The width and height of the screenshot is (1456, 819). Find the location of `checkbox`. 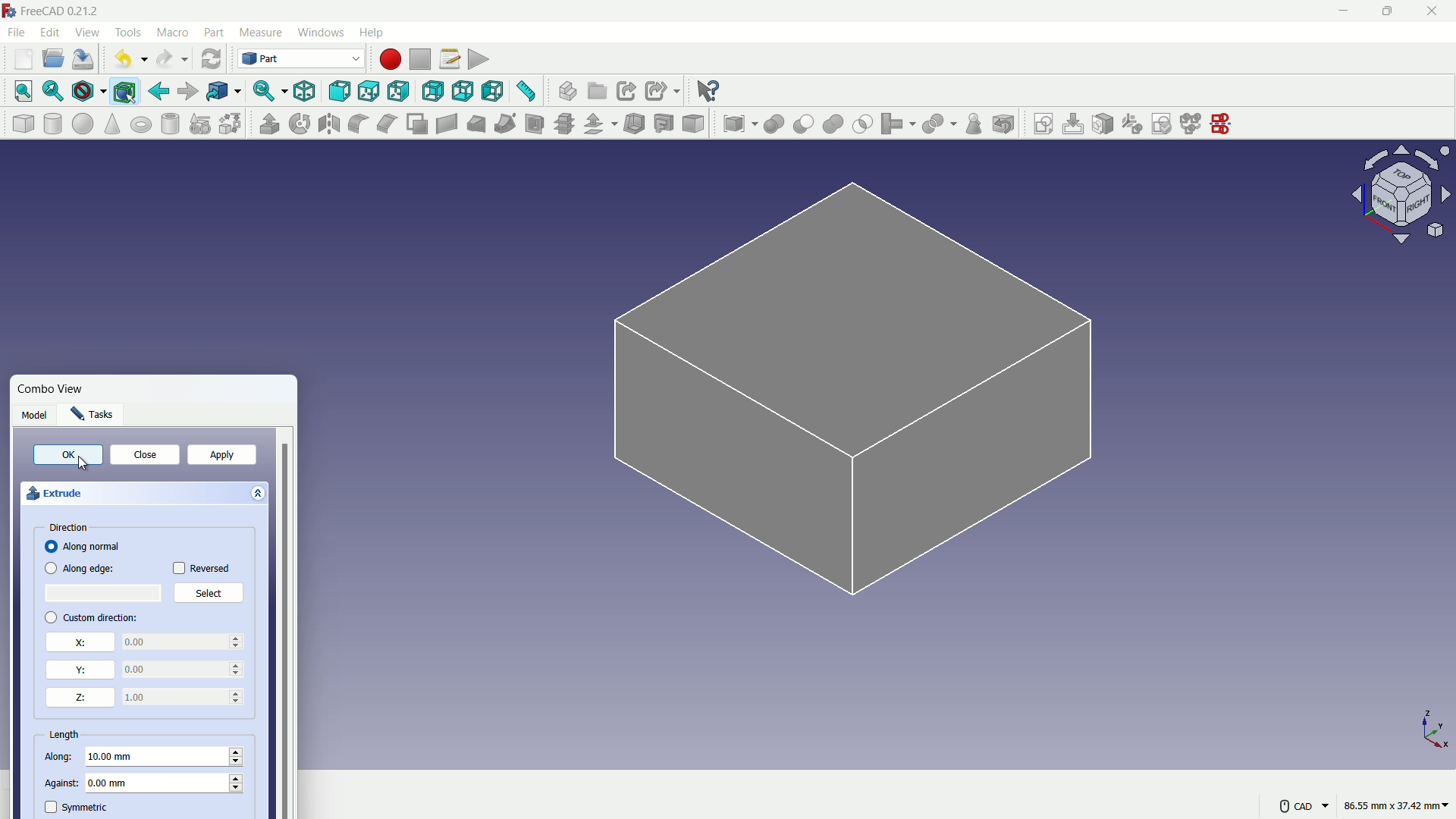

checkbox is located at coordinates (50, 547).